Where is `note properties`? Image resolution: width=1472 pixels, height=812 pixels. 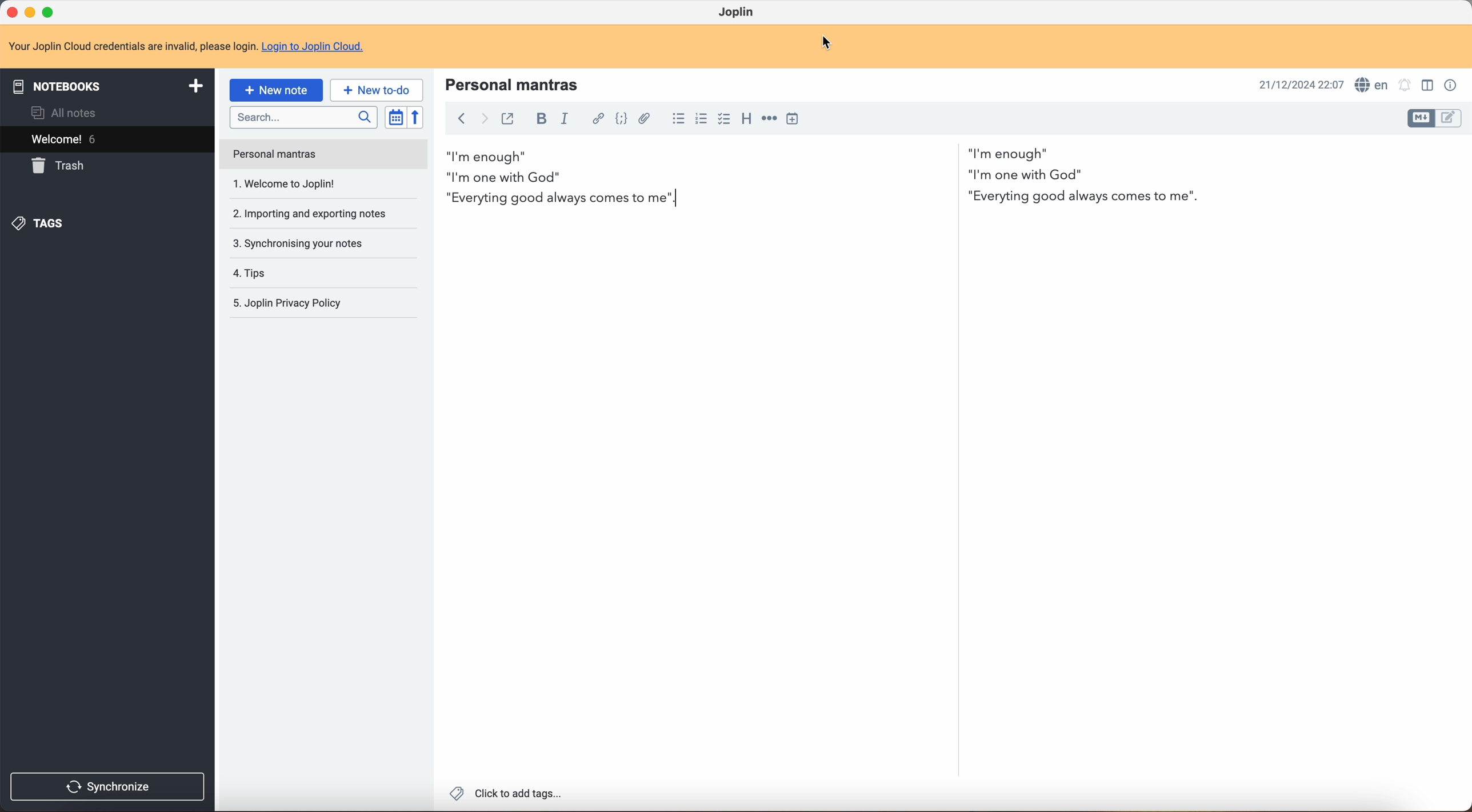 note properties is located at coordinates (1451, 86).